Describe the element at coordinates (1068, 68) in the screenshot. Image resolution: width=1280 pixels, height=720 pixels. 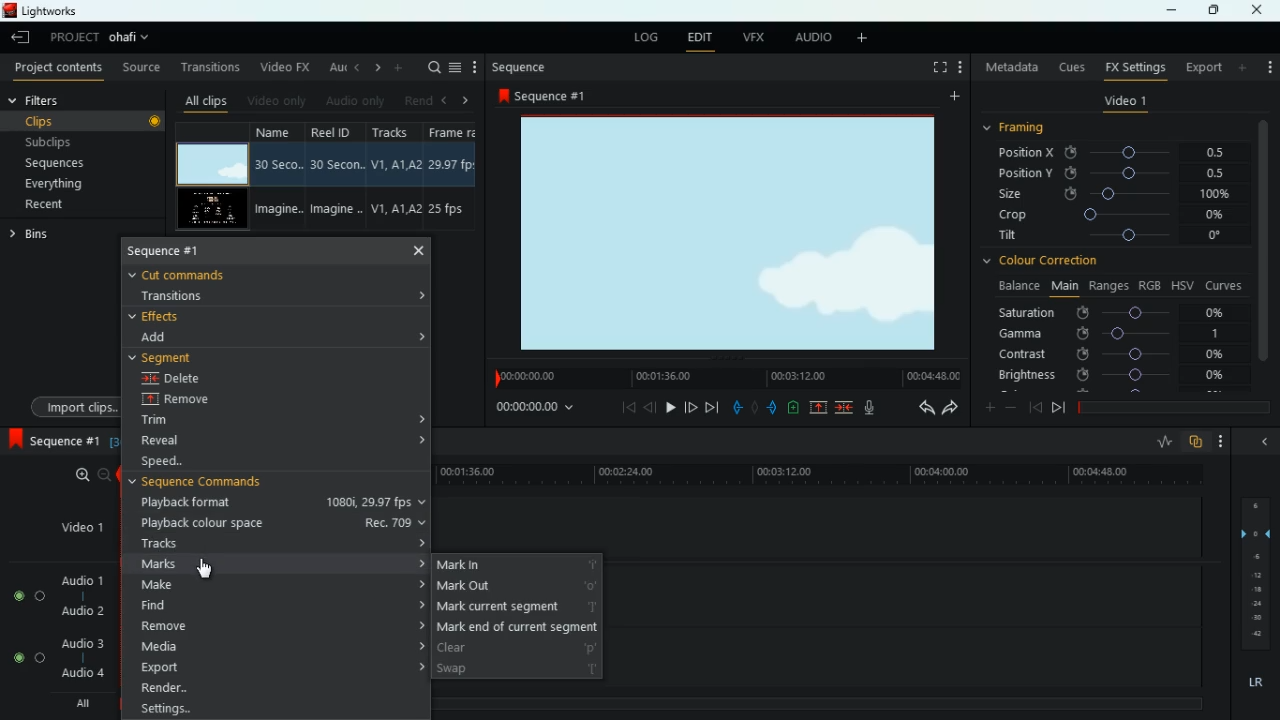
I see `cues` at that location.